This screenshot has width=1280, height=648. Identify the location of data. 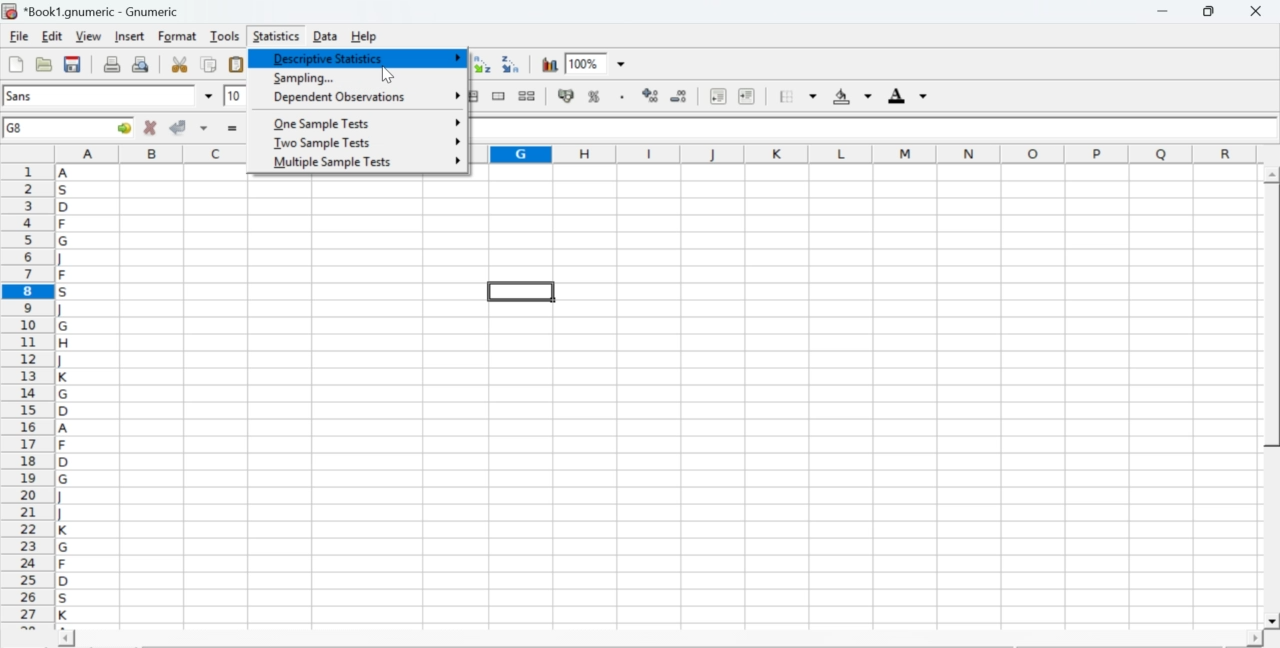
(327, 35).